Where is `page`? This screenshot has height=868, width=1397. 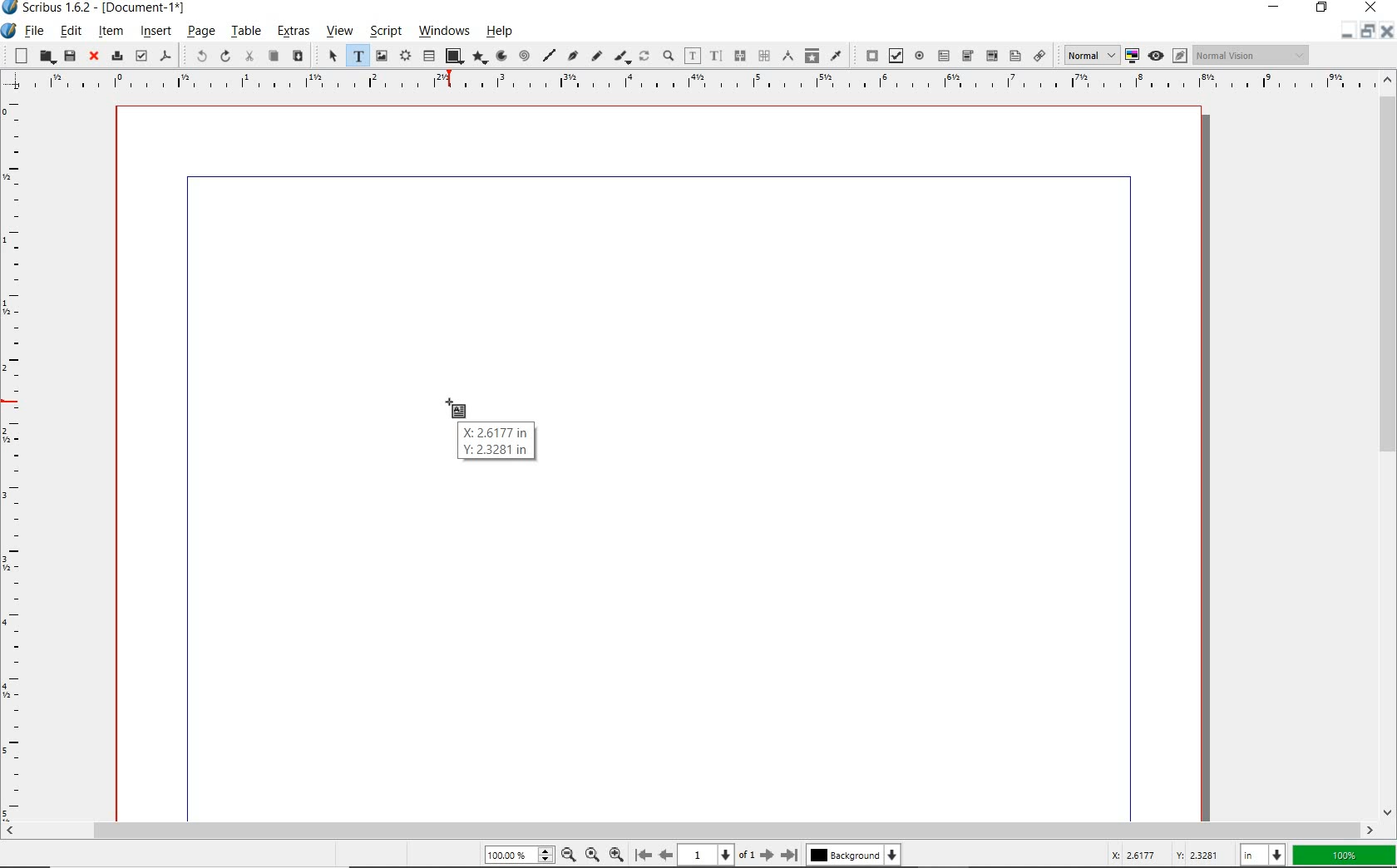 page is located at coordinates (200, 33).